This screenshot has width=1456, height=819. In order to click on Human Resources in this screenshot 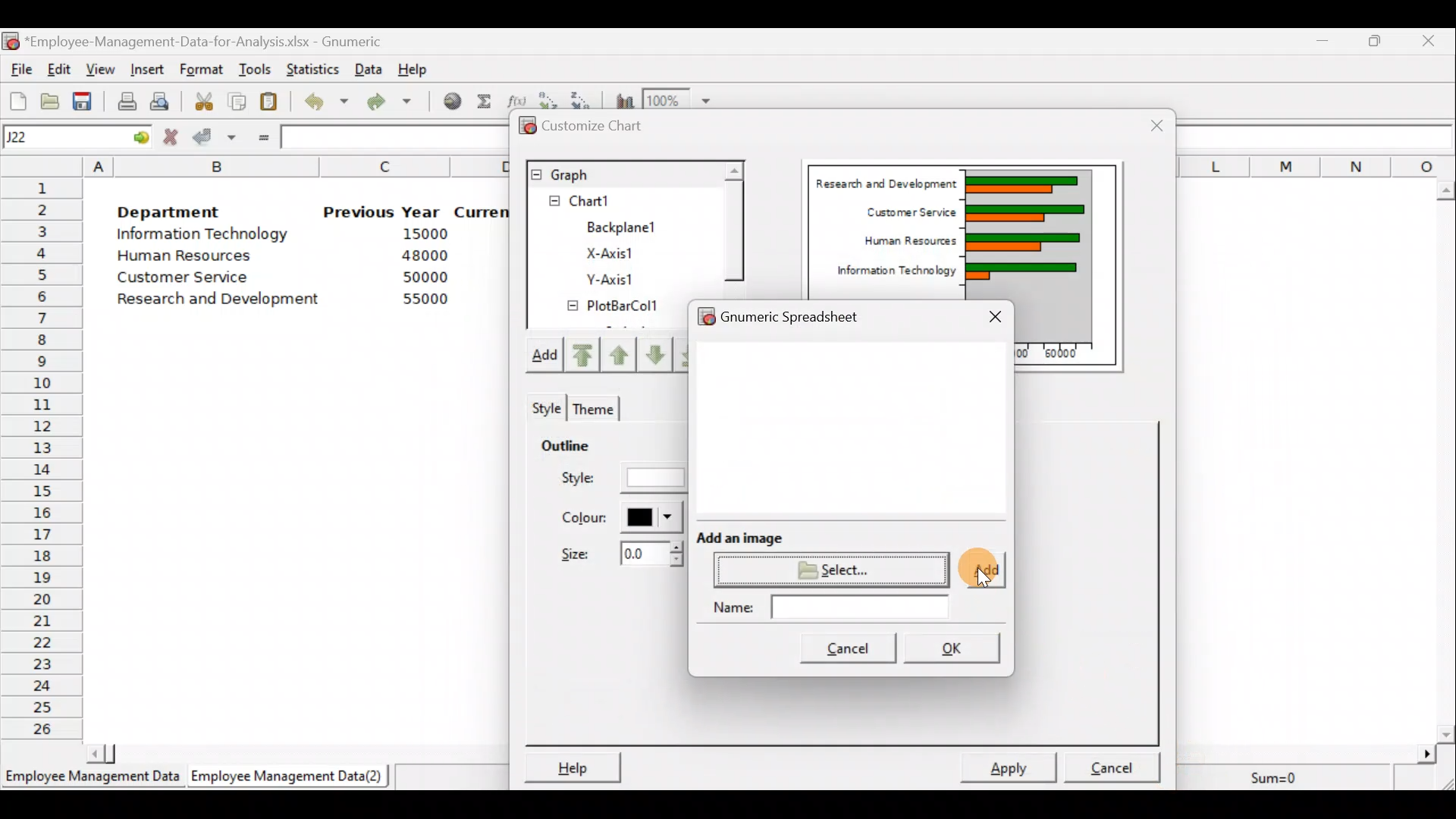, I will do `click(196, 257)`.